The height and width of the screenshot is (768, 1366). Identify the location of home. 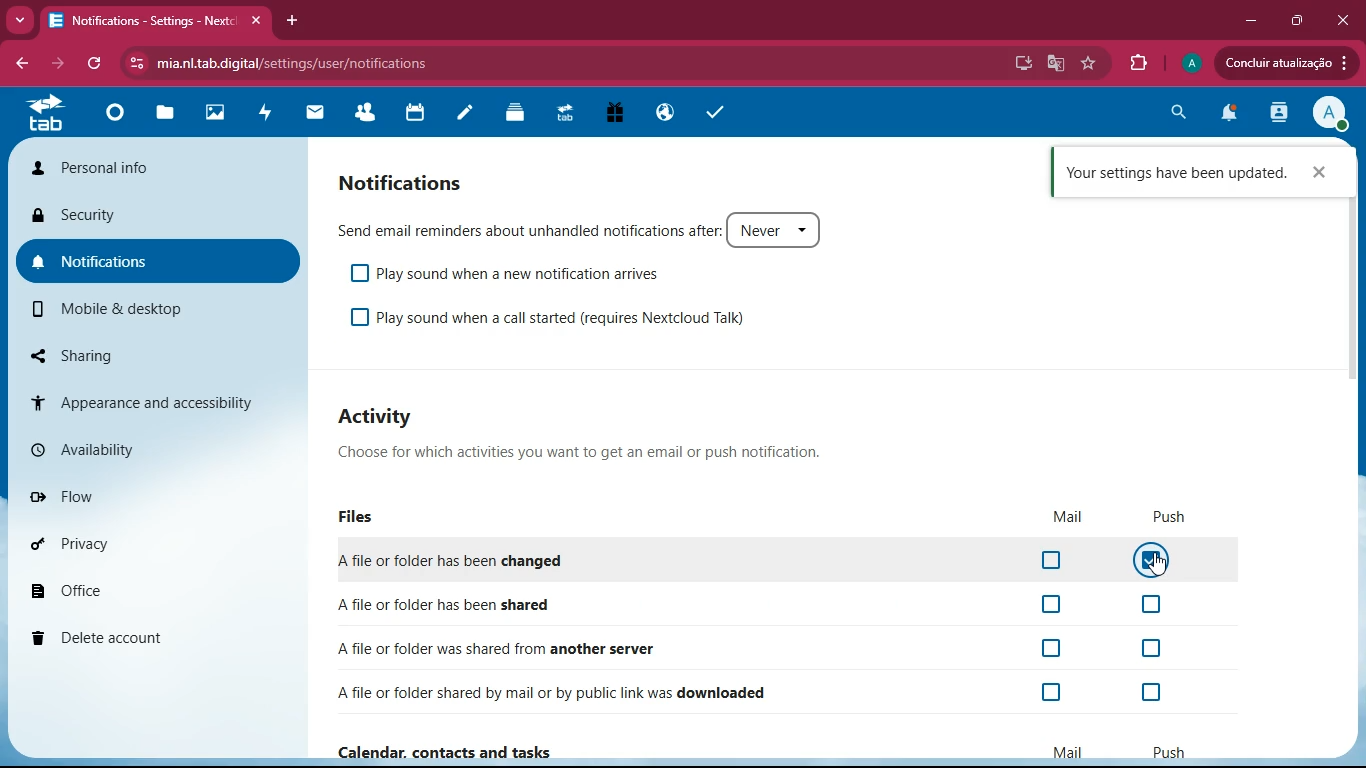
(115, 121).